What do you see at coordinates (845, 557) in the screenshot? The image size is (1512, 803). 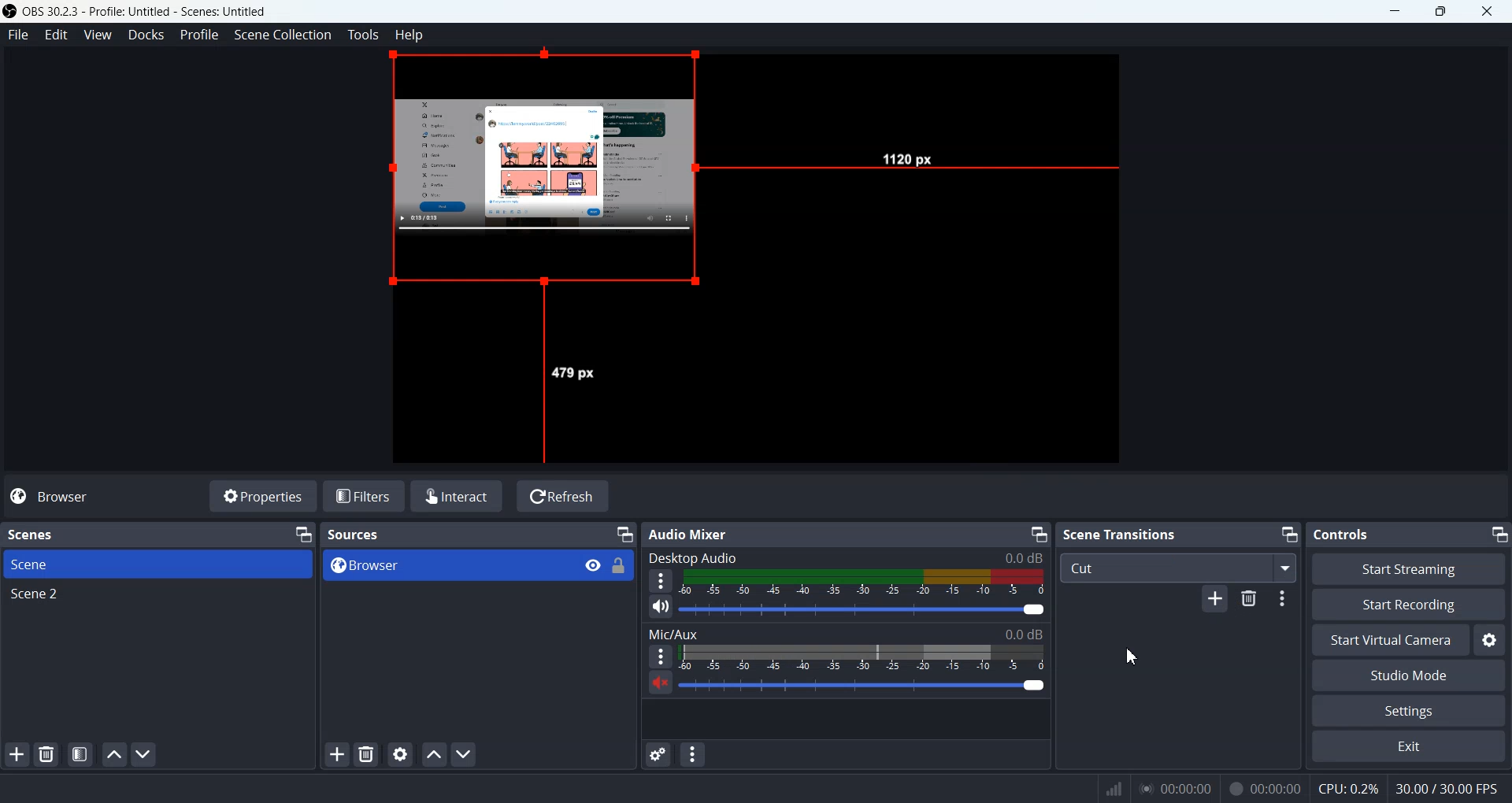 I see `Text` at bounding box center [845, 557].